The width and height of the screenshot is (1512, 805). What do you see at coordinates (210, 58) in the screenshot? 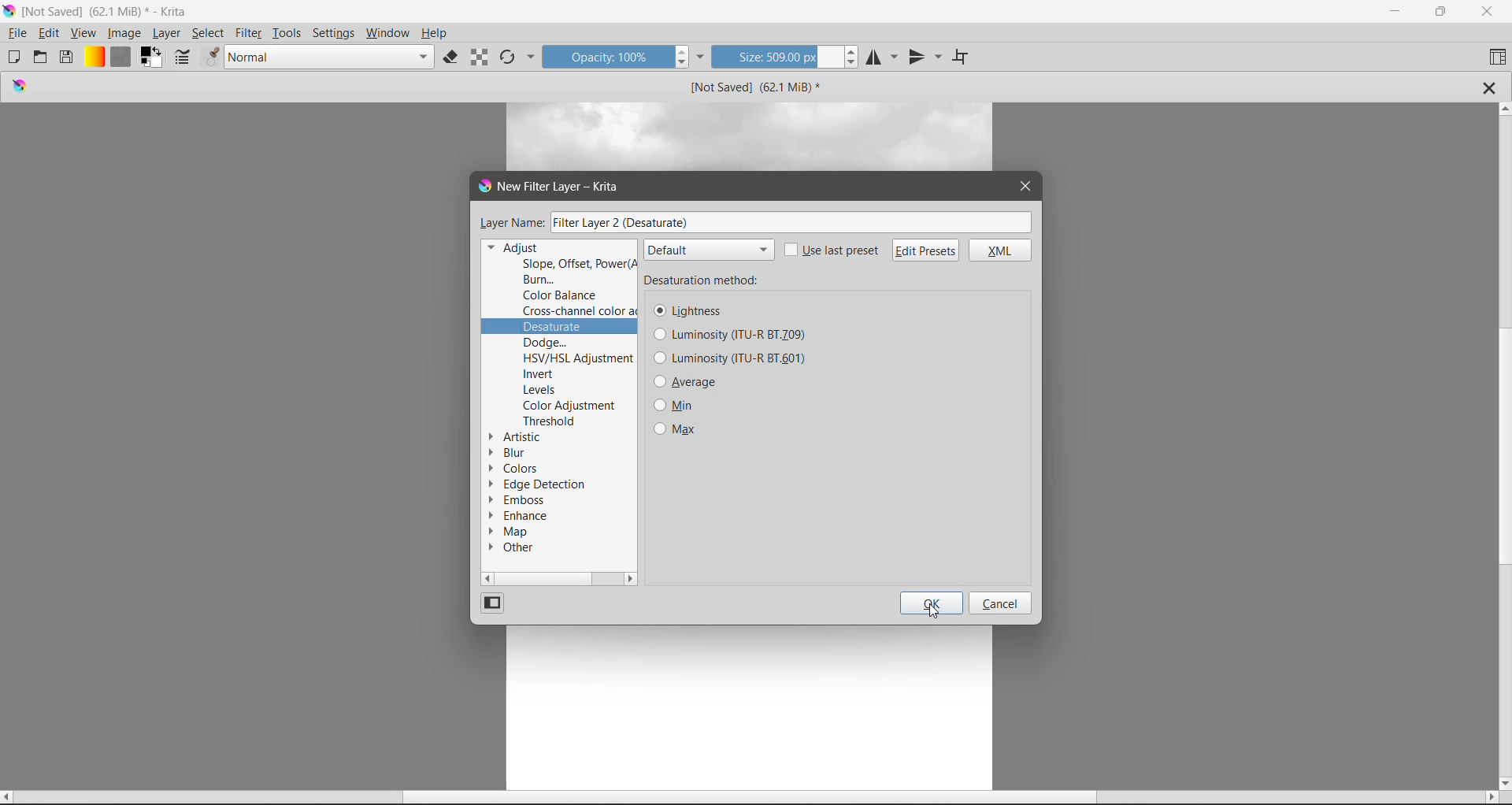
I see `Choose brush presets` at bounding box center [210, 58].